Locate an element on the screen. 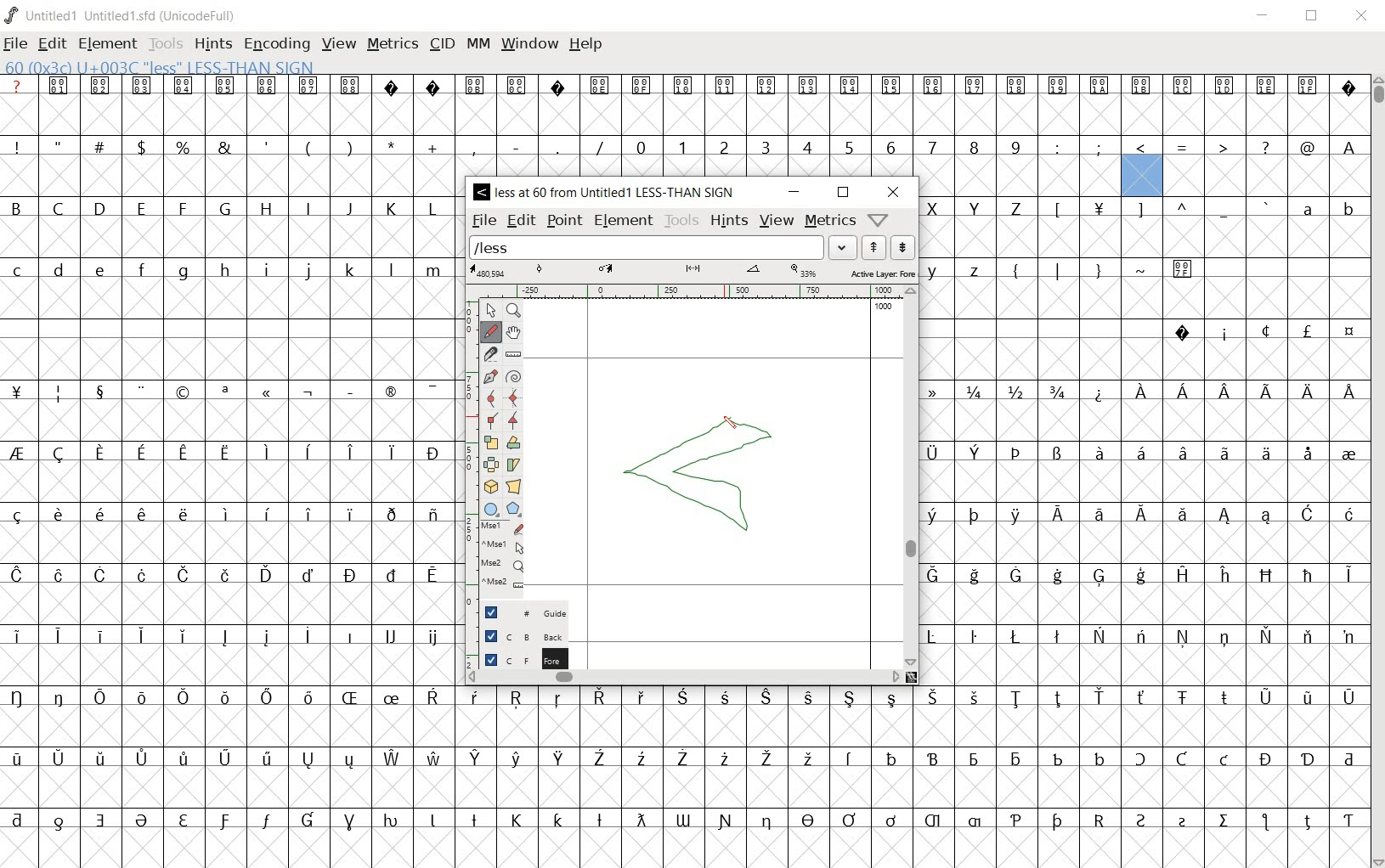 The width and height of the screenshot is (1385, 868). empty cells is located at coordinates (681, 114).